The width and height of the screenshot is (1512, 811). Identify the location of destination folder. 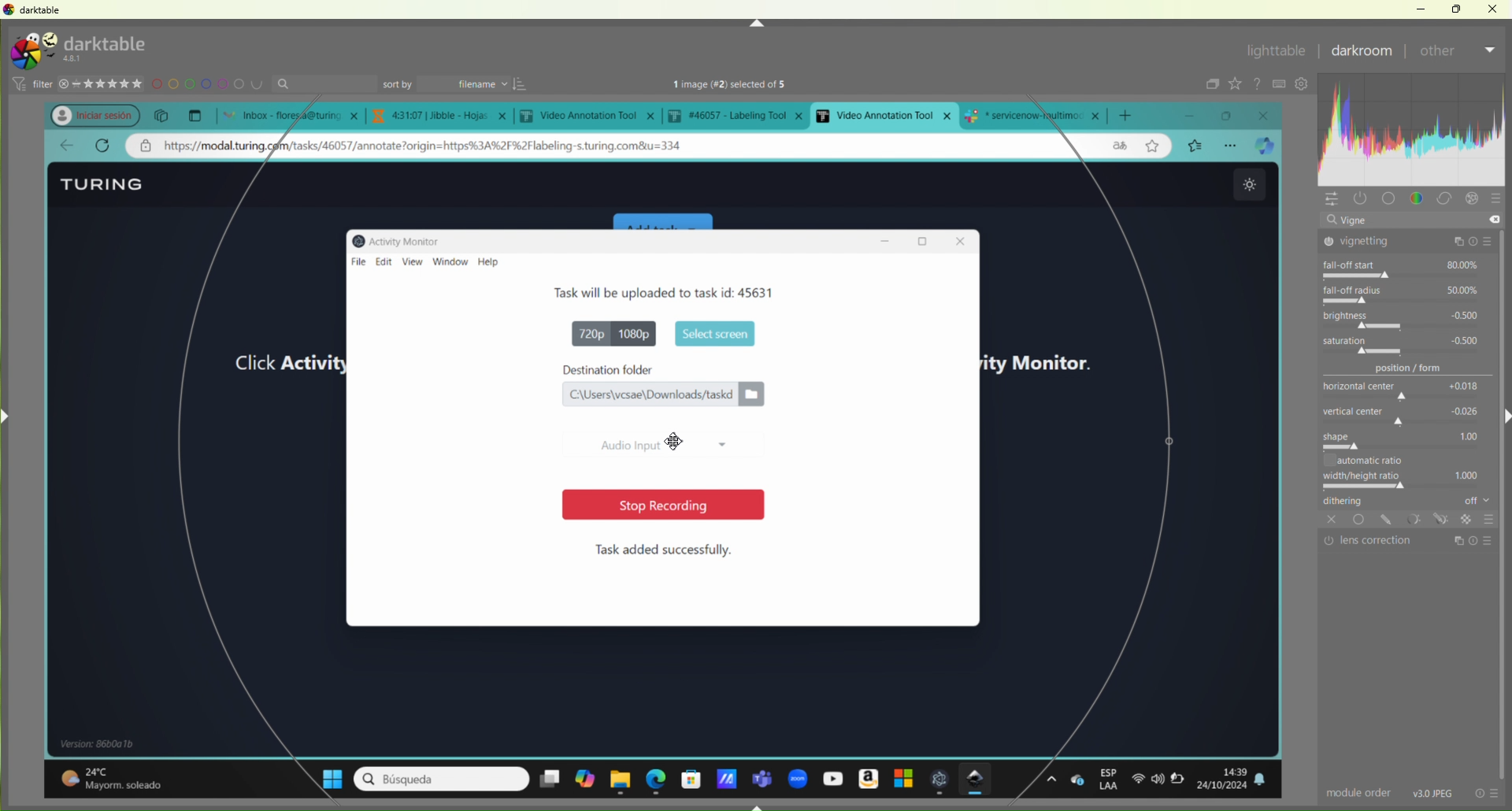
(664, 369).